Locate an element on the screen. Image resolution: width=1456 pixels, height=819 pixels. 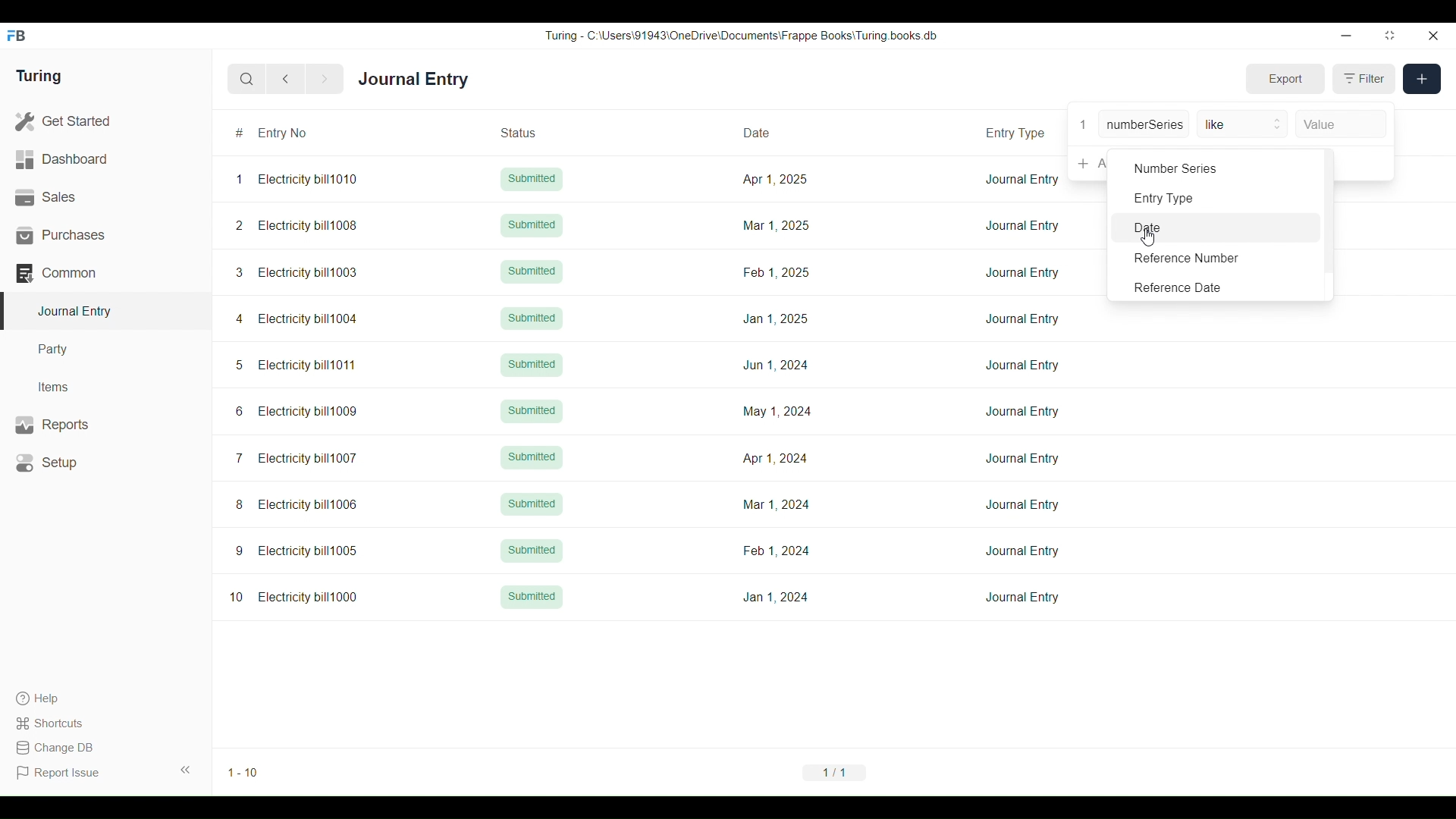
Journal Entry is located at coordinates (1022, 226).